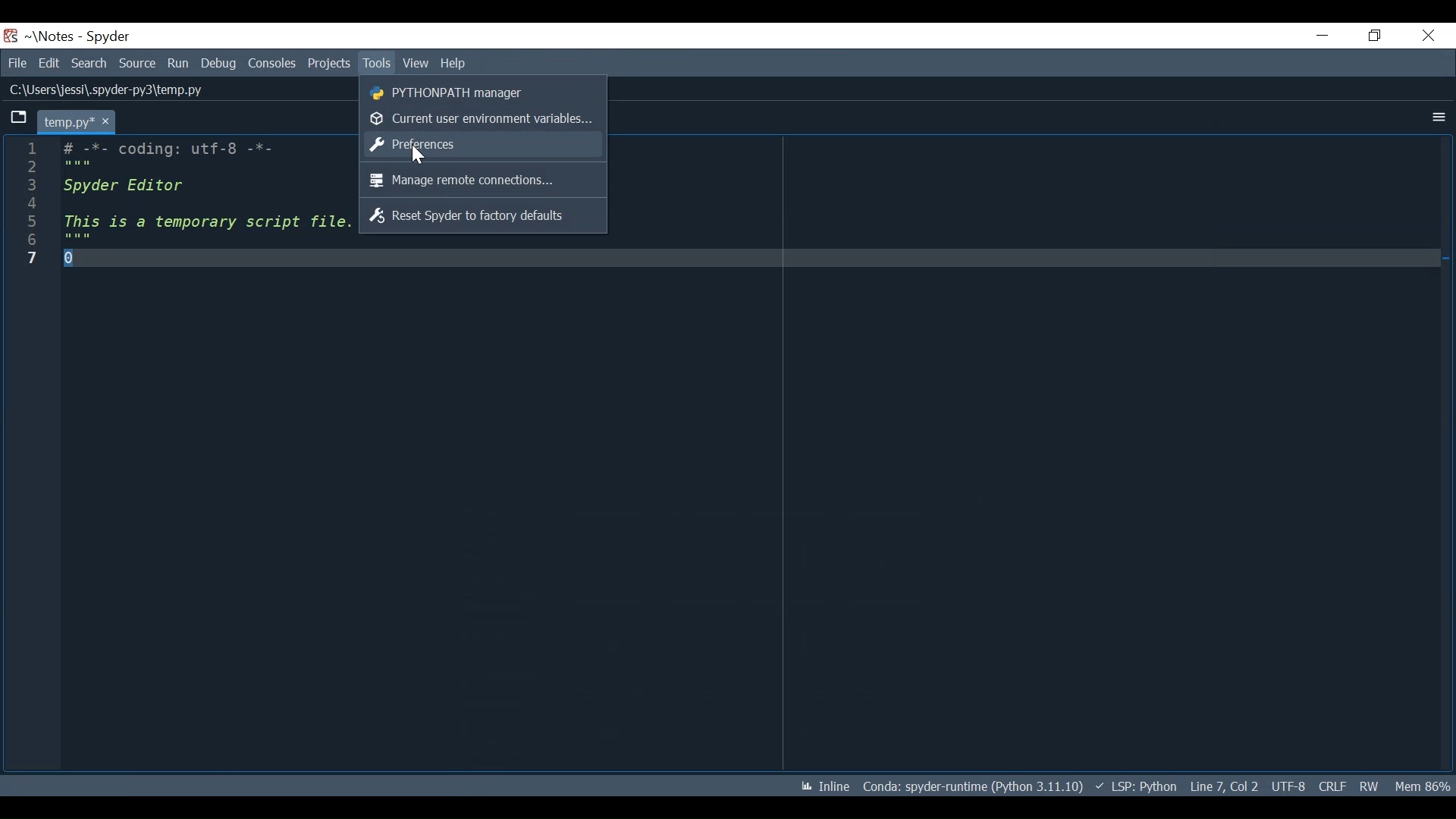  What do you see at coordinates (417, 61) in the screenshot?
I see `View` at bounding box center [417, 61].